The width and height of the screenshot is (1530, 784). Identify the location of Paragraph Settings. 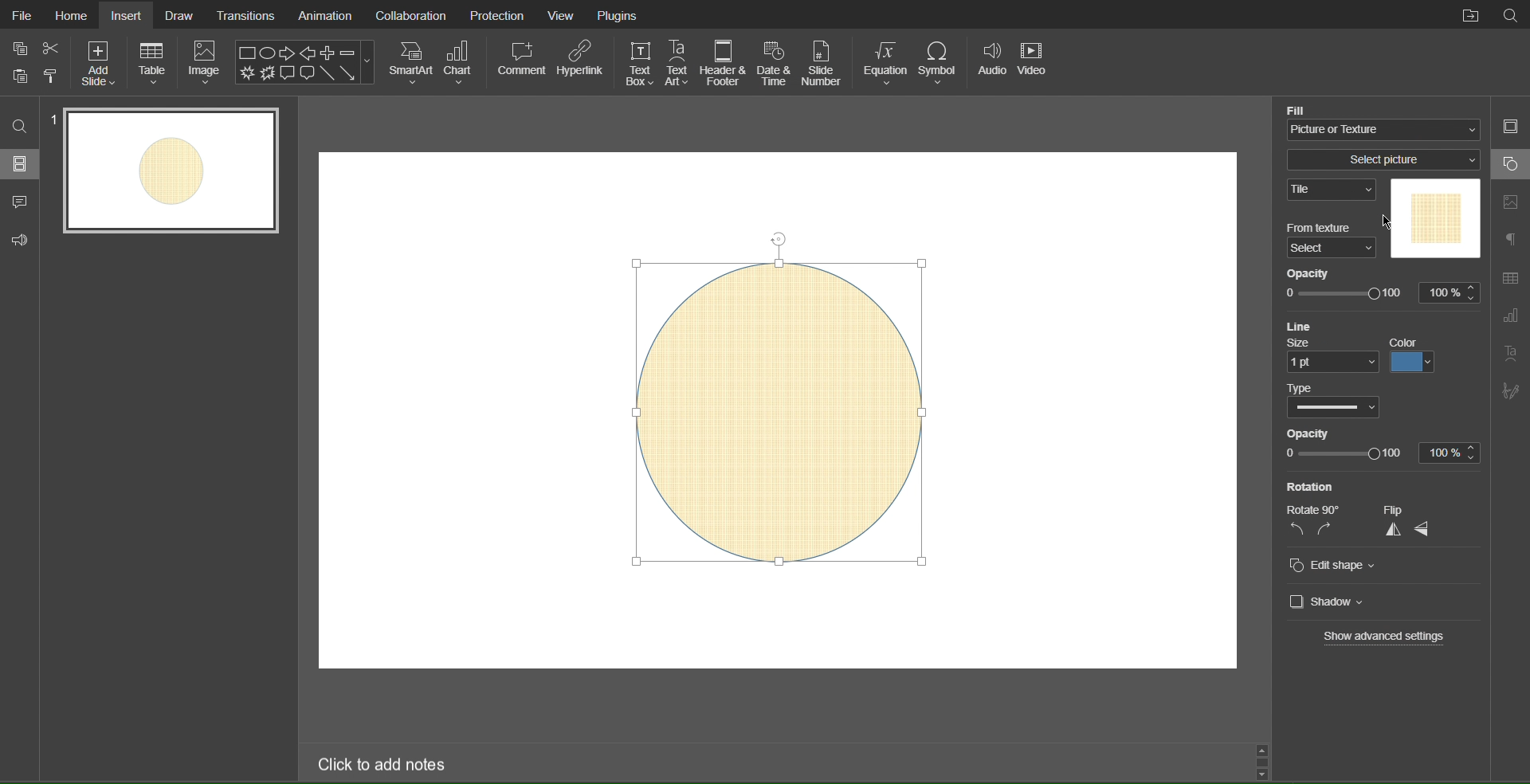
(1509, 241).